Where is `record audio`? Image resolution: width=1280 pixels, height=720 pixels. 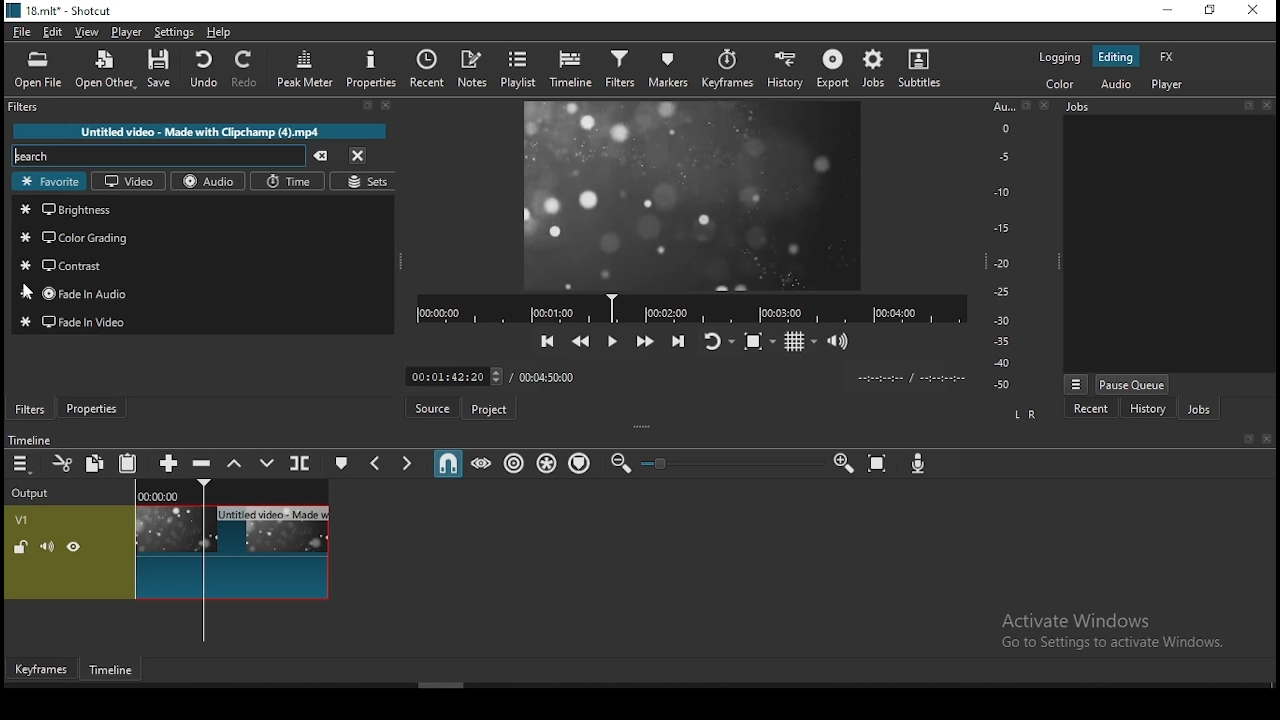 record audio is located at coordinates (919, 464).